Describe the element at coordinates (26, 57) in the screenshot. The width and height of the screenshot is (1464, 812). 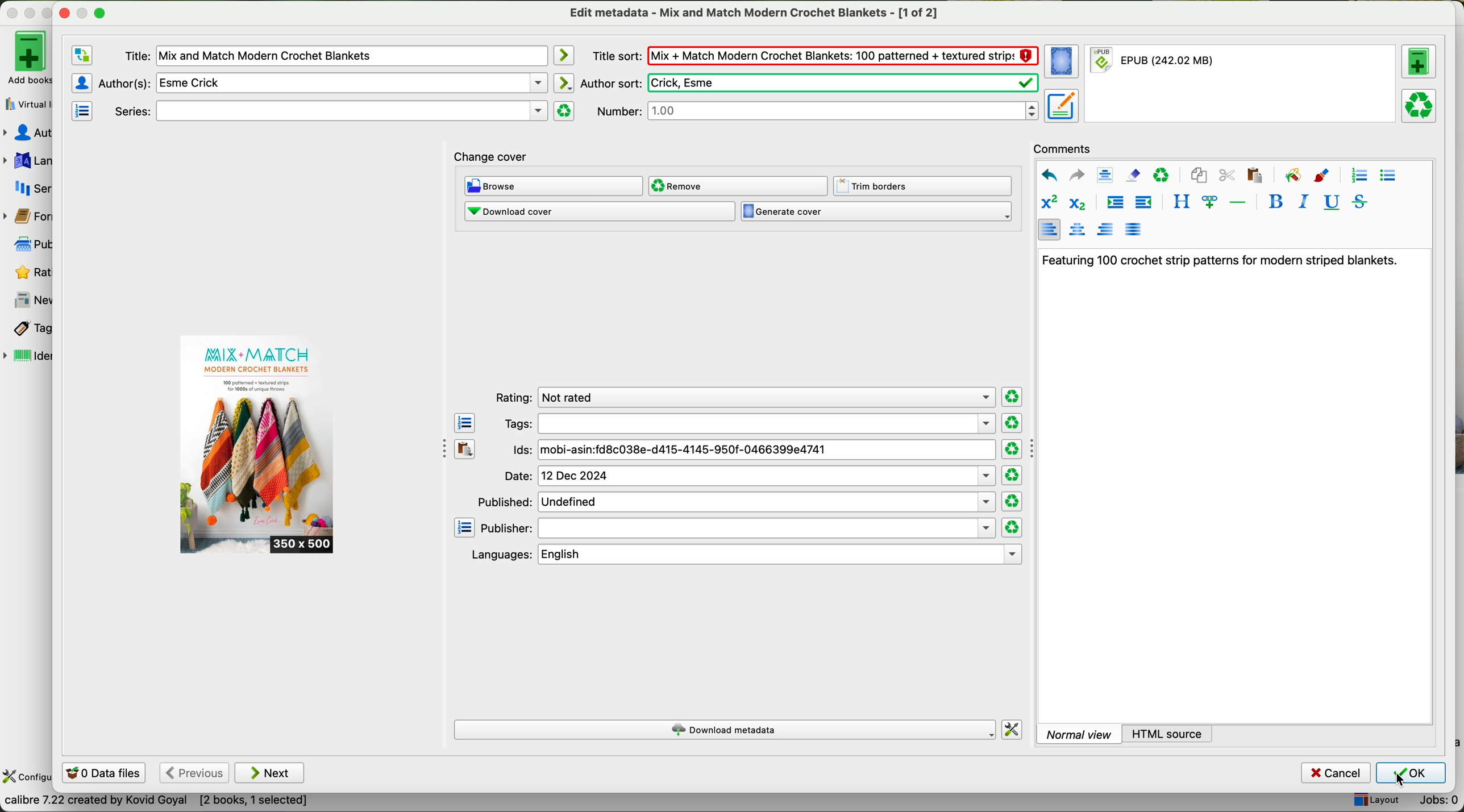
I see `add books` at that location.